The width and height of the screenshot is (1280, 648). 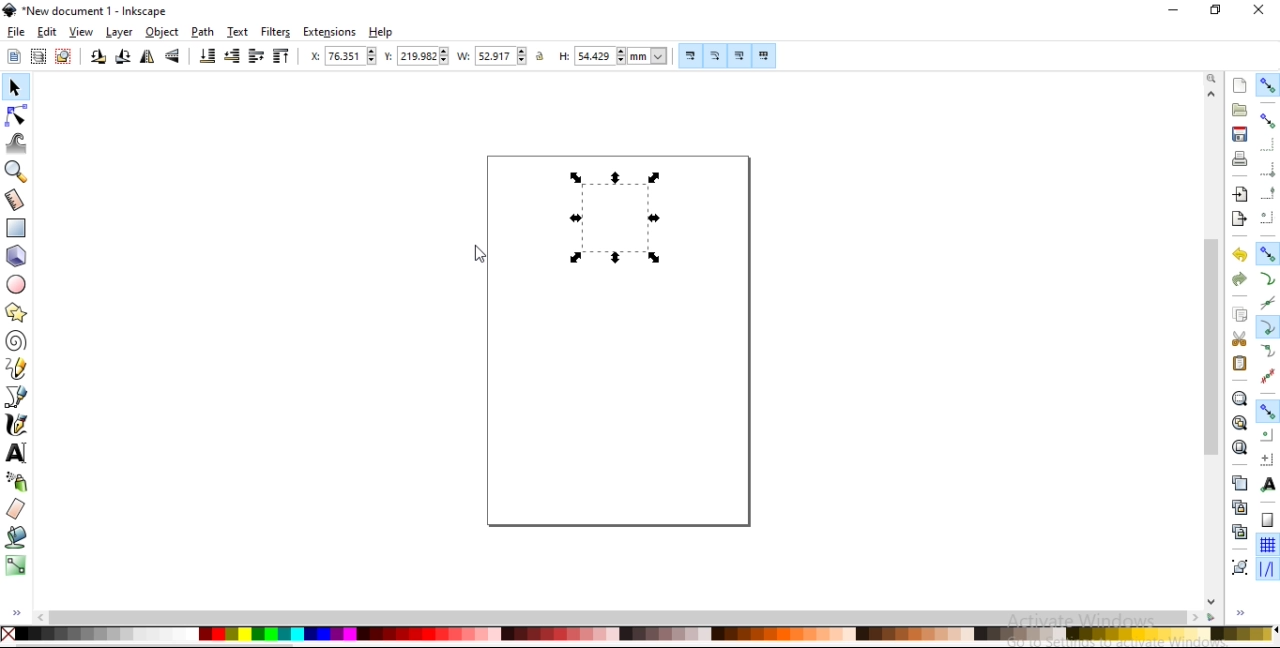 I want to click on height of selection, so click(x=611, y=54).